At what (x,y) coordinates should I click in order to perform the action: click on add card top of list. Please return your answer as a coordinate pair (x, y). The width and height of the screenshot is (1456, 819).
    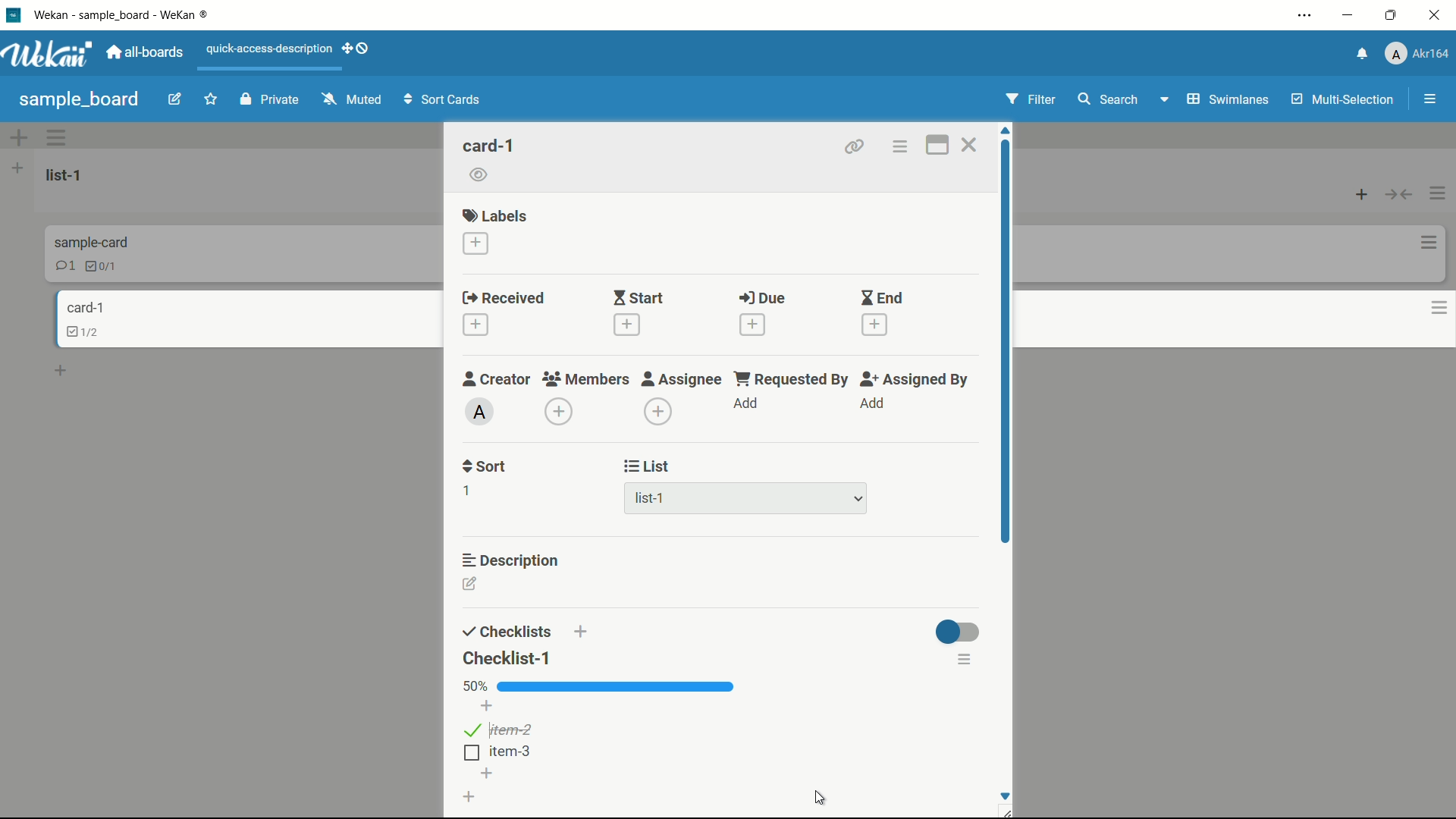
    Looking at the image, I should click on (1358, 193).